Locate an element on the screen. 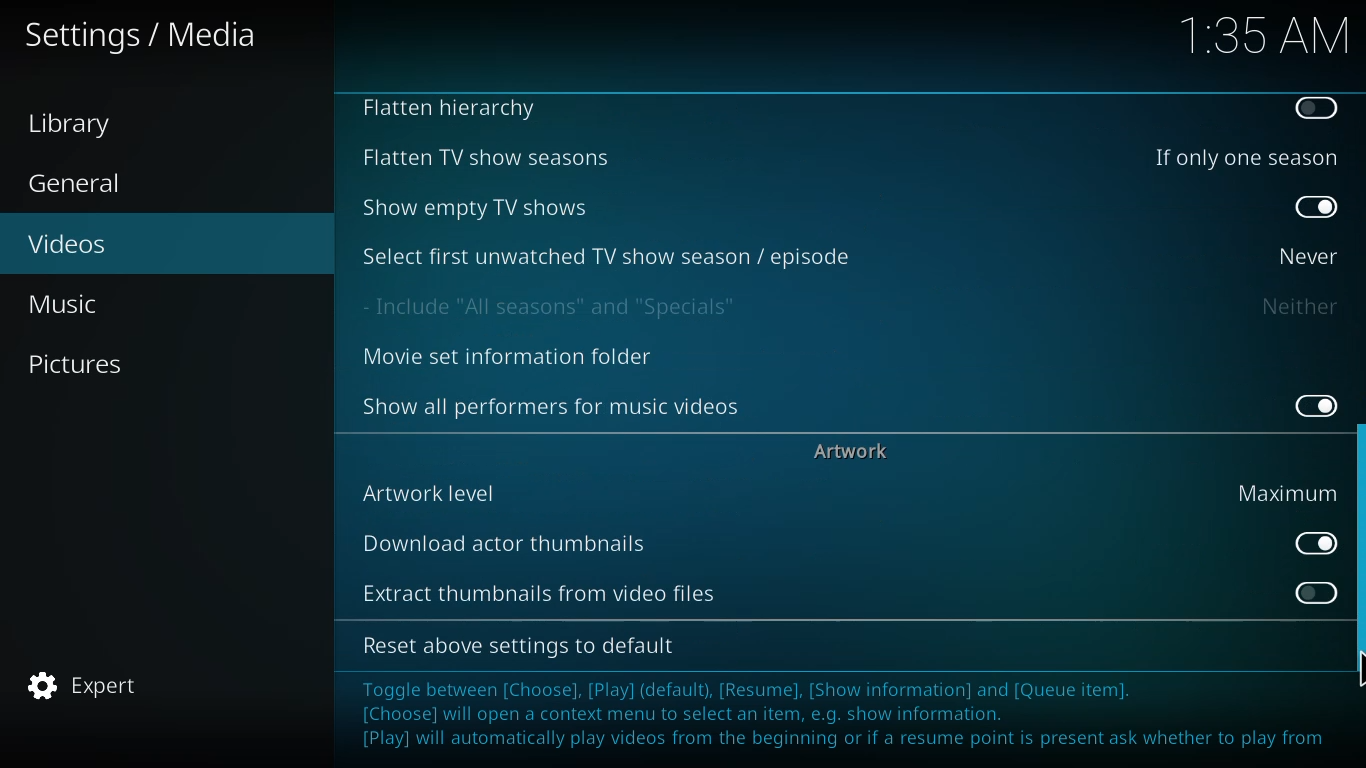 The image size is (1366, 768). music is located at coordinates (71, 303).